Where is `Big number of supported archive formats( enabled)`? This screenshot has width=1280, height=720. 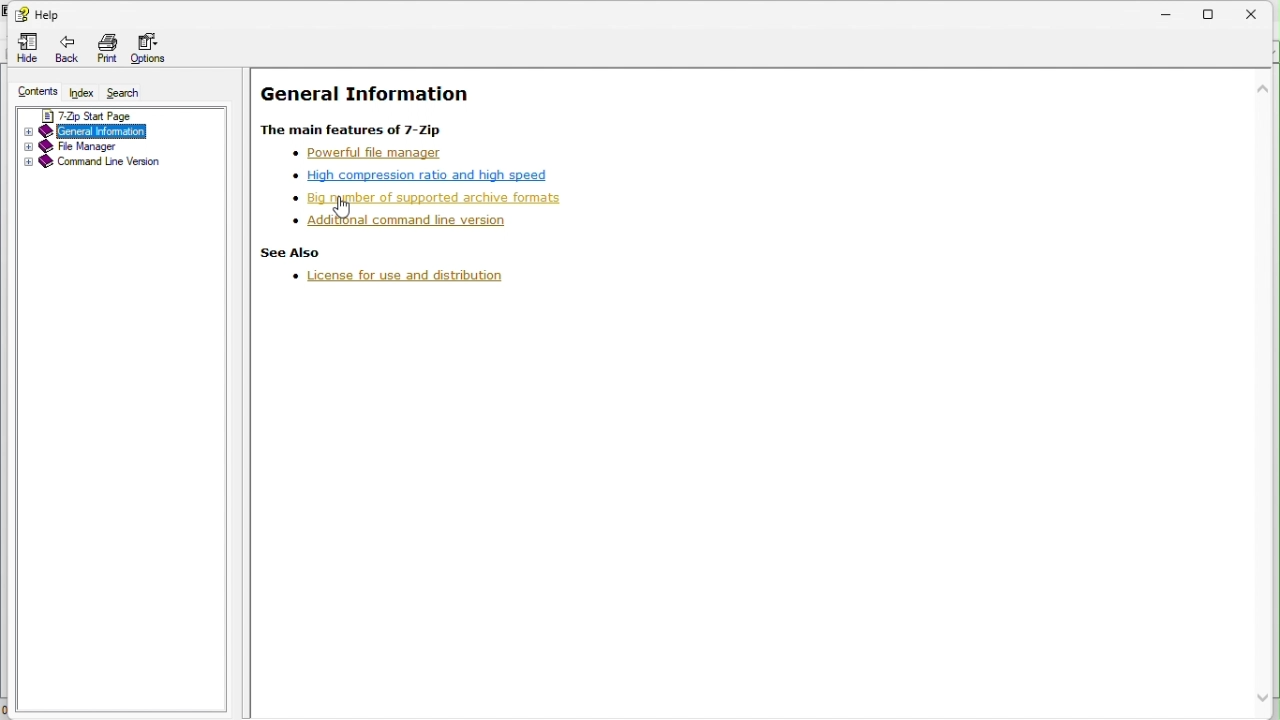 Big number of supported archive formats( enabled) is located at coordinates (417, 197).